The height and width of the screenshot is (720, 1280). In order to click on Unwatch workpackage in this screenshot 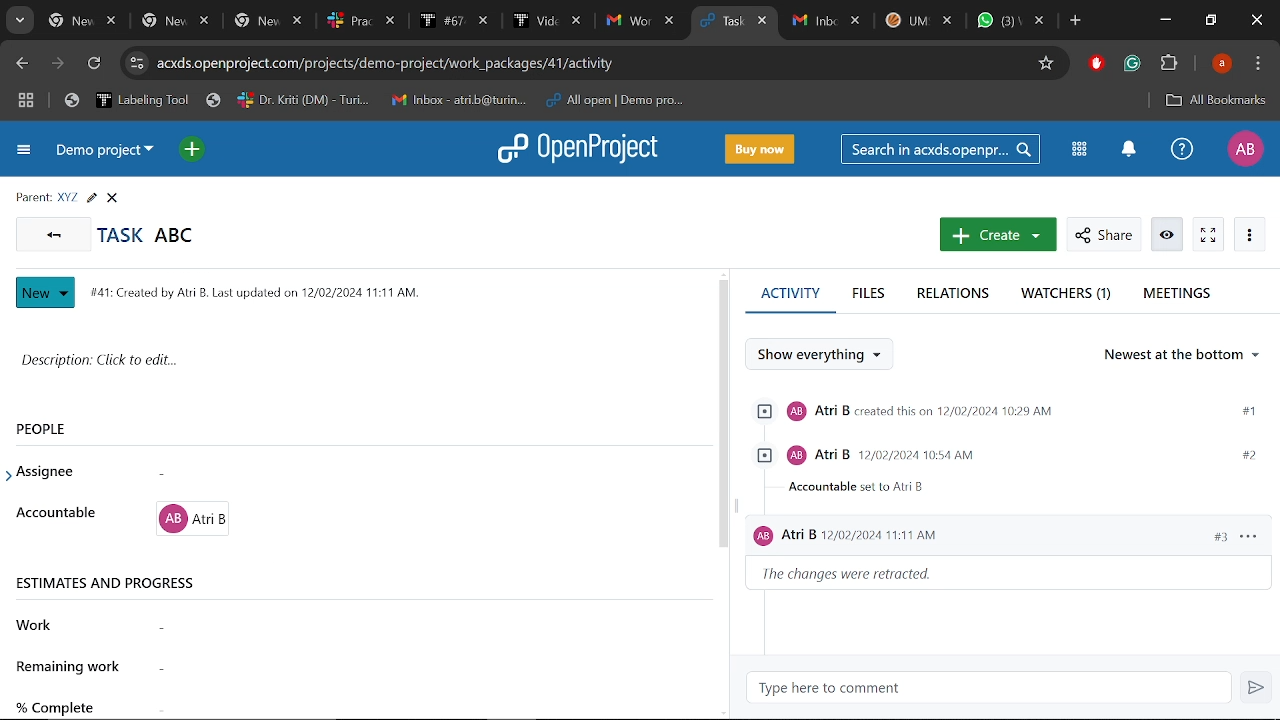, I will do `click(1165, 235)`.